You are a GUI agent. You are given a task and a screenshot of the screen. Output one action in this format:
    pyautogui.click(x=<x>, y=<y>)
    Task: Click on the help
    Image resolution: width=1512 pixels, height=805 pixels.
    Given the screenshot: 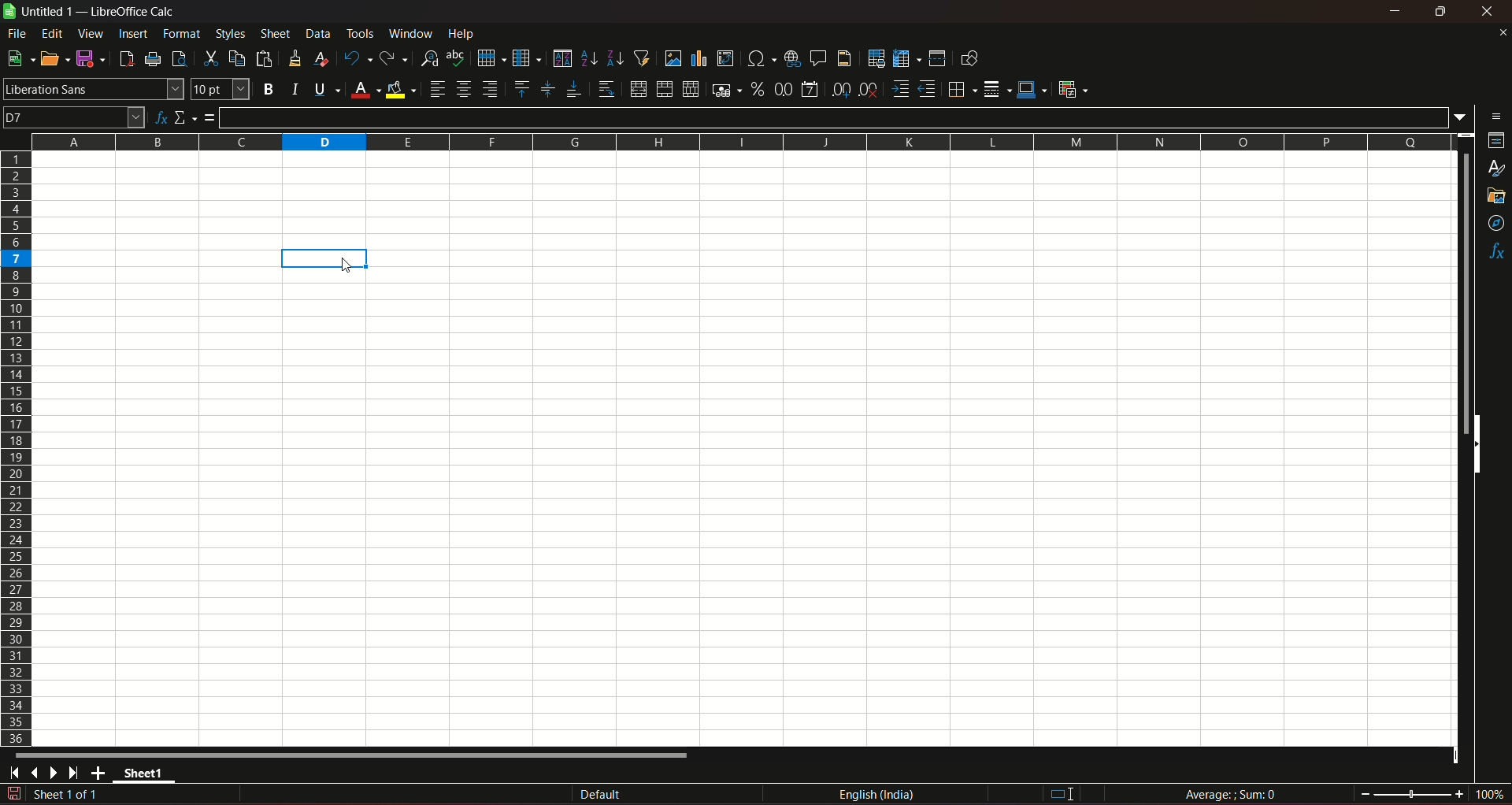 What is the action you would take?
    pyautogui.click(x=465, y=33)
    